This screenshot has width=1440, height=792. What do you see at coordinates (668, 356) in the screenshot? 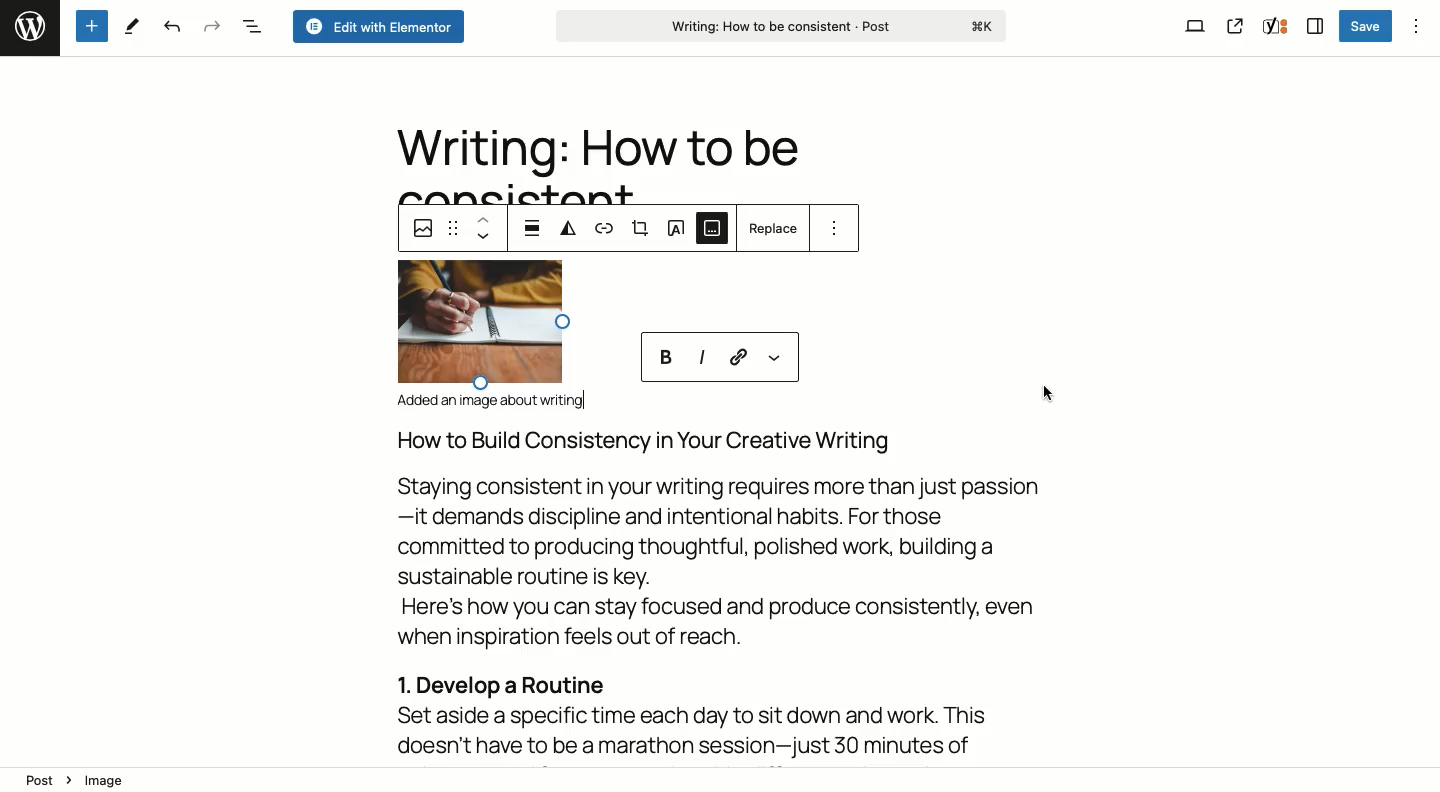
I see `Bold` at bounding box center [668, 356].